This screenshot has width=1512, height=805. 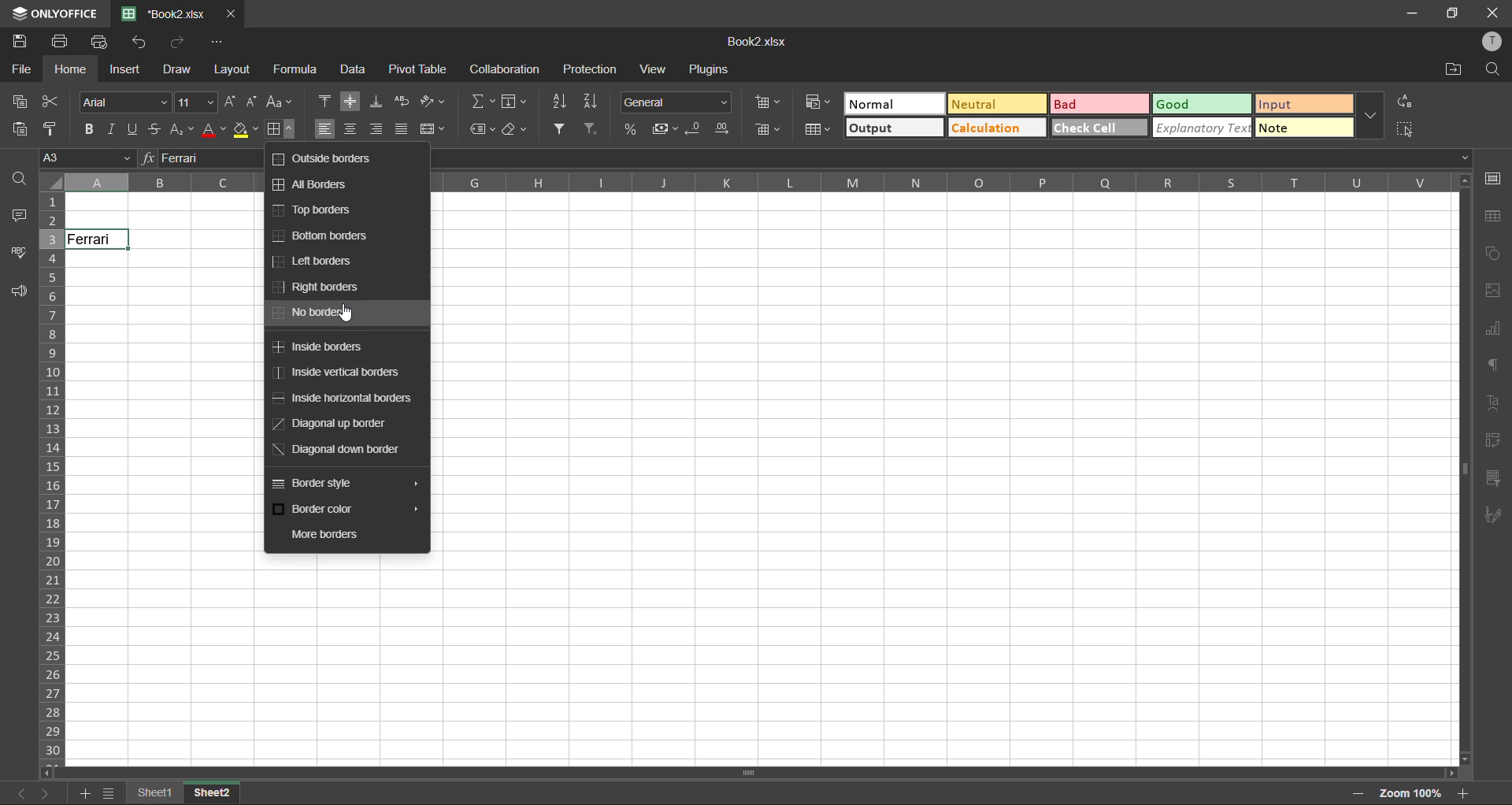 I want to click on profile, so click(x=1490, y=42).